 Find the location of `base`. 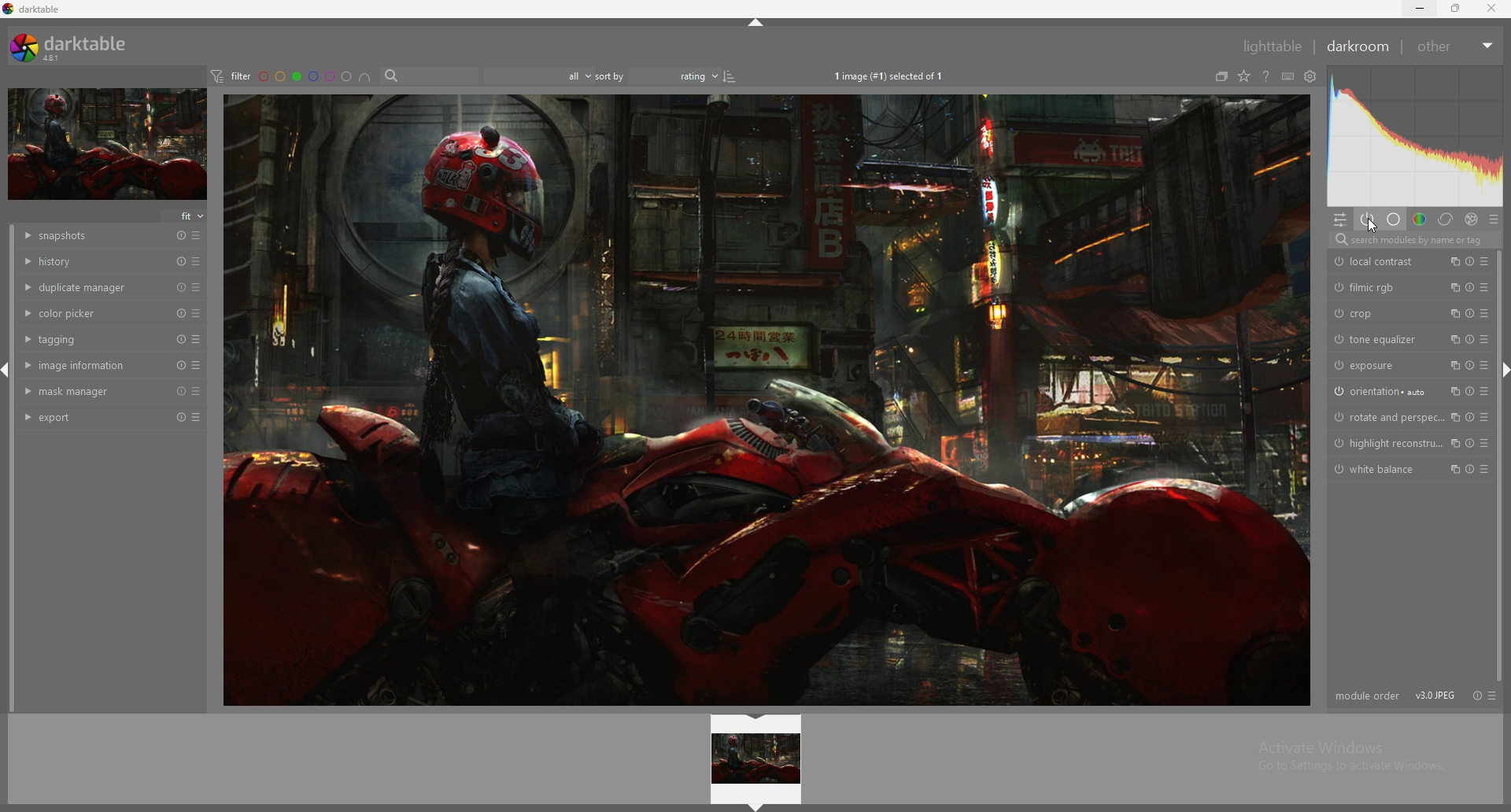

base is located at coordinates (1393, 219).